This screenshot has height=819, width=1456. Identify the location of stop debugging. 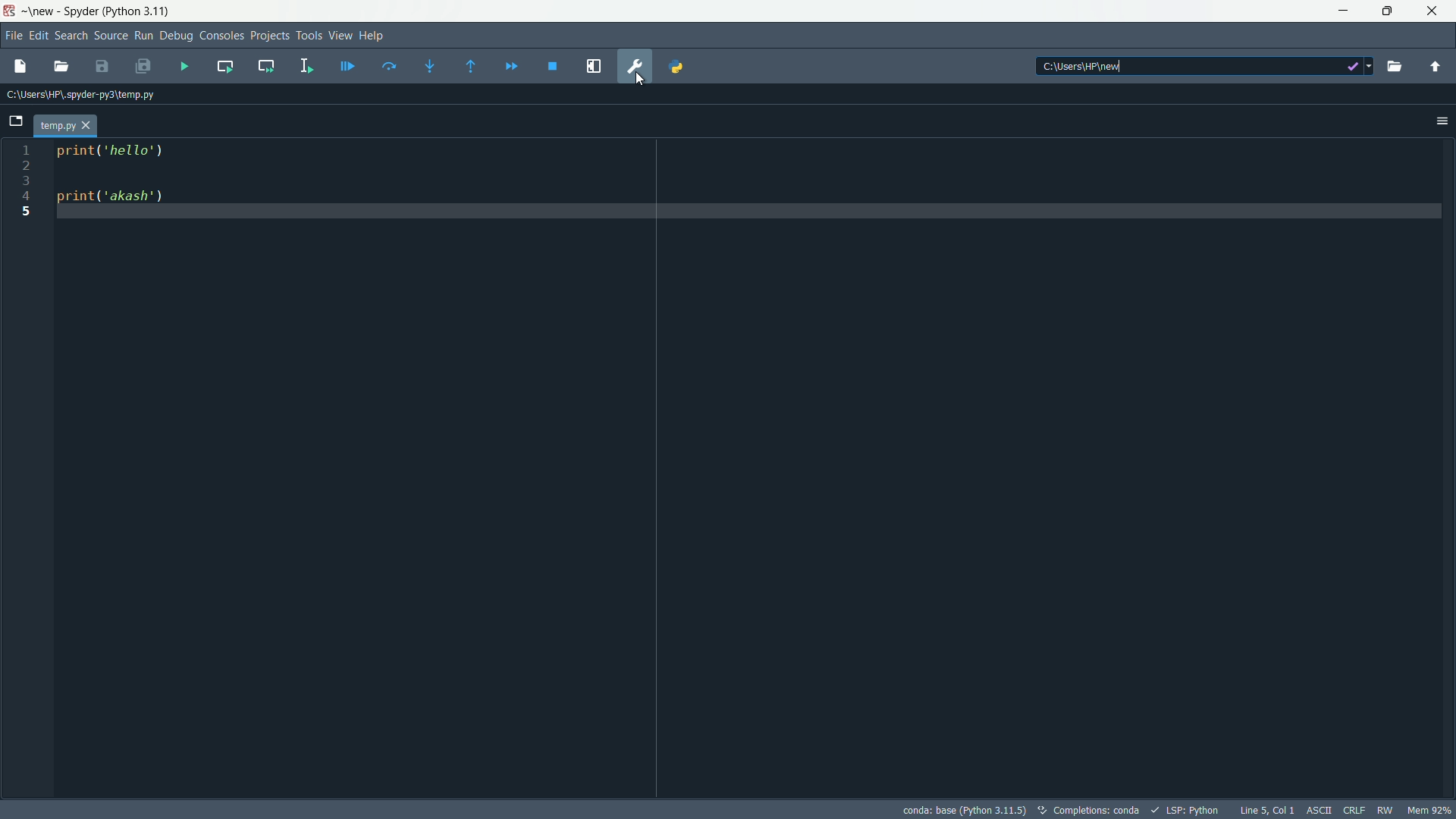
(552, 67).